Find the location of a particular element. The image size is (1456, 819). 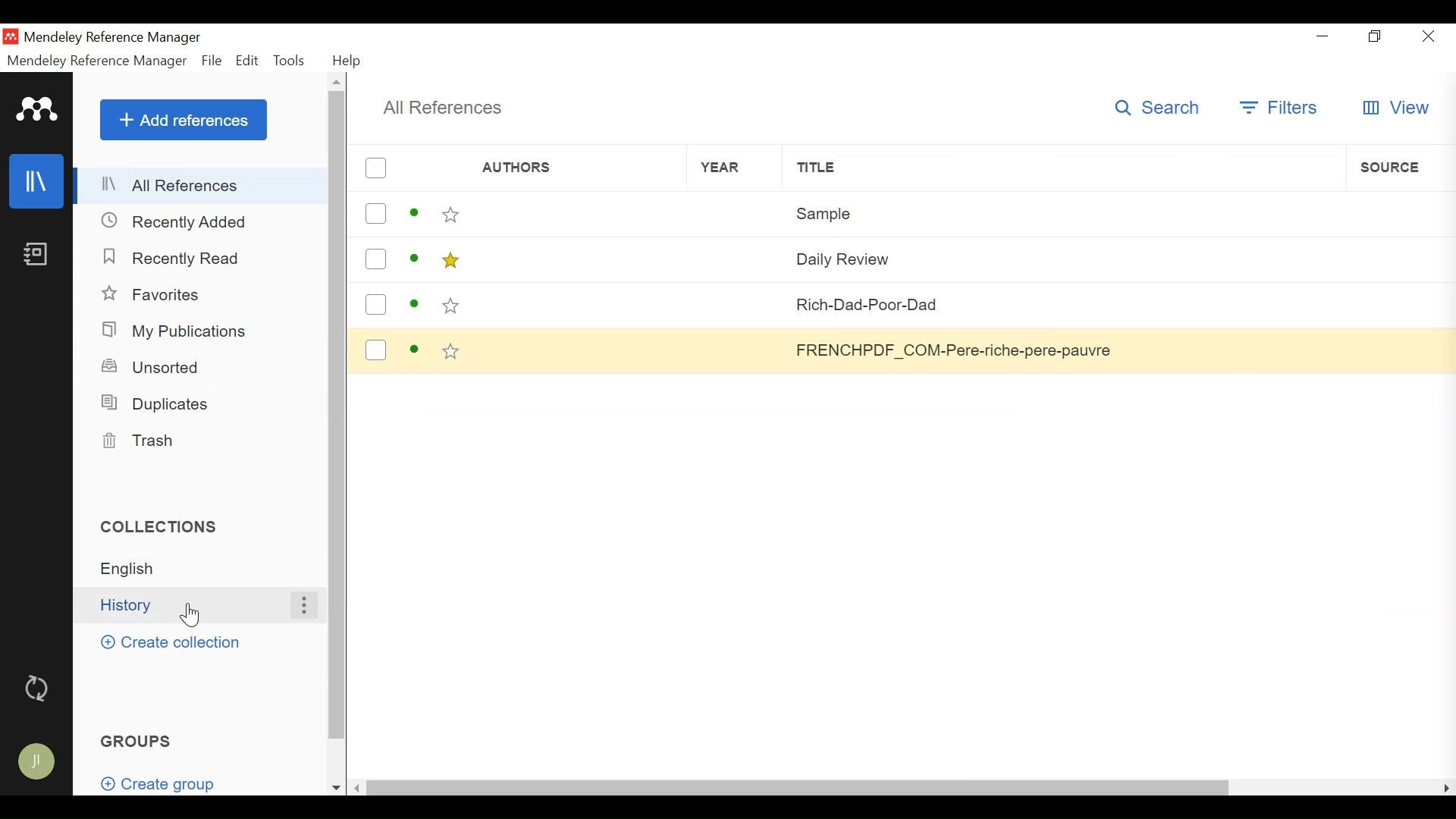

minimize is located at coordinates (1326, 36).